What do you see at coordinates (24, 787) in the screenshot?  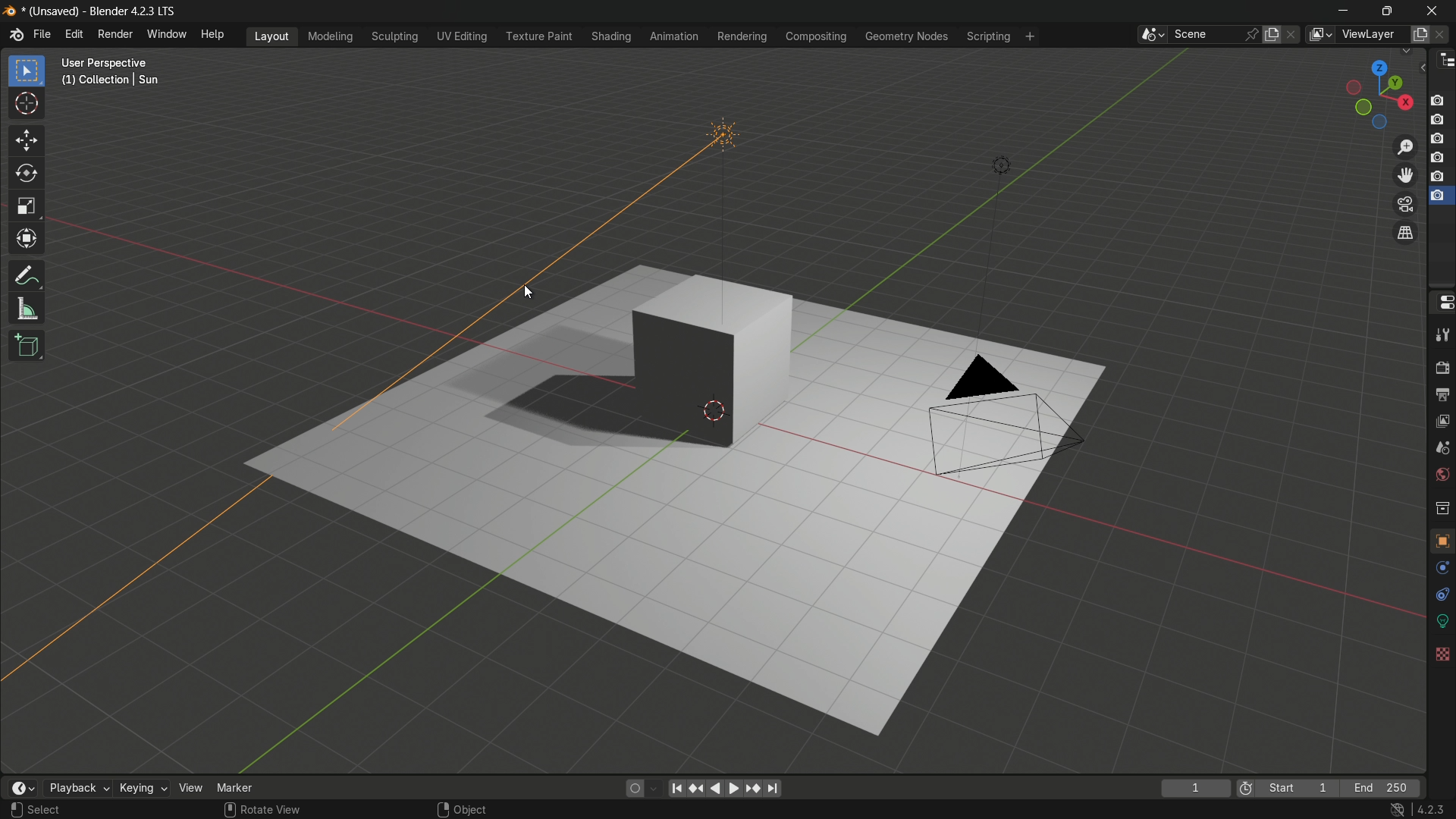 I see `timeline` at bounding box center [24, 787].